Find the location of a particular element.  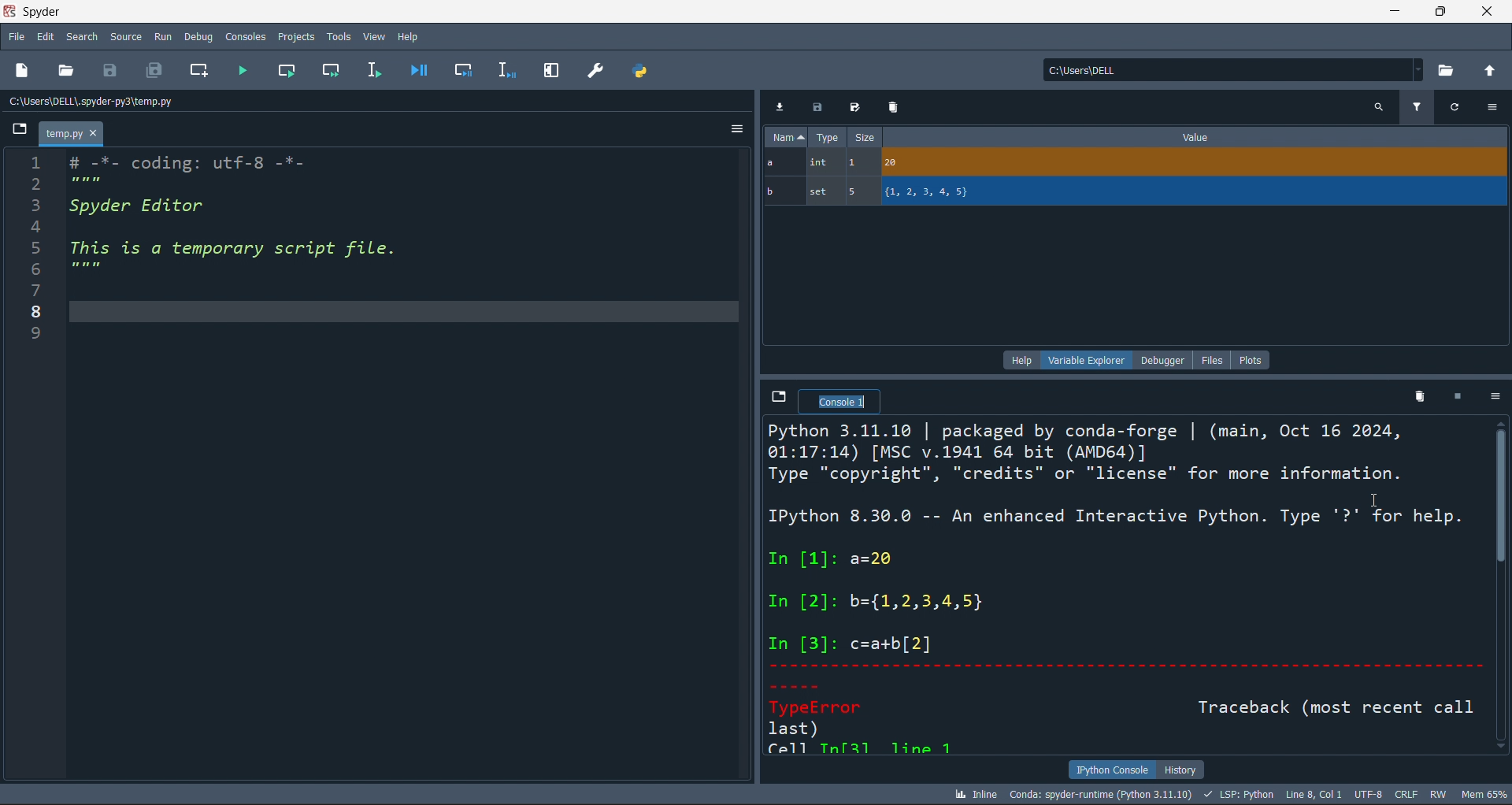

consoles is located at coordinates (243, 35).